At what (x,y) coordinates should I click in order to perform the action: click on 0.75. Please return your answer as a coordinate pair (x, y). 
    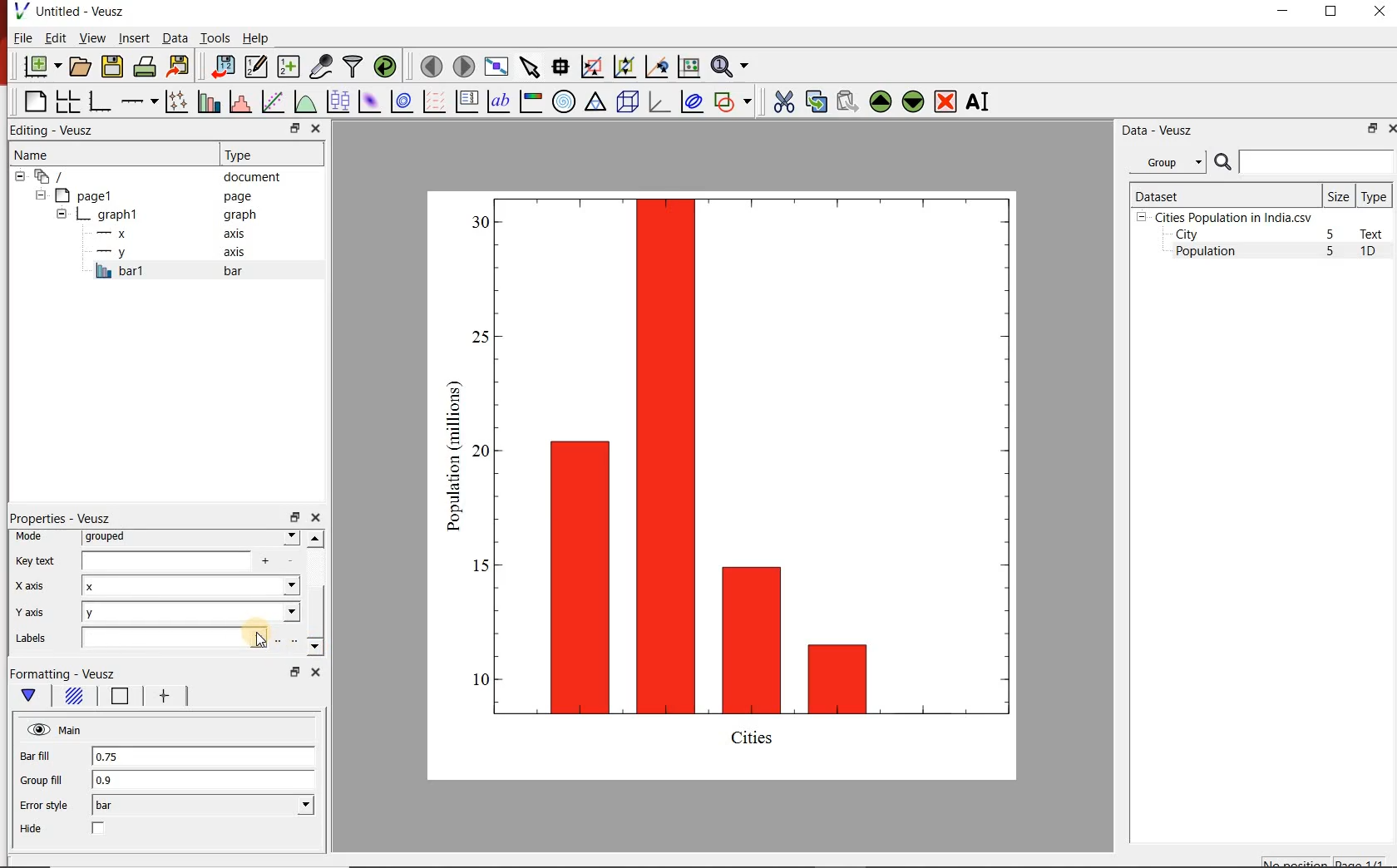
    Looking at the image, I should click on (202, 757).